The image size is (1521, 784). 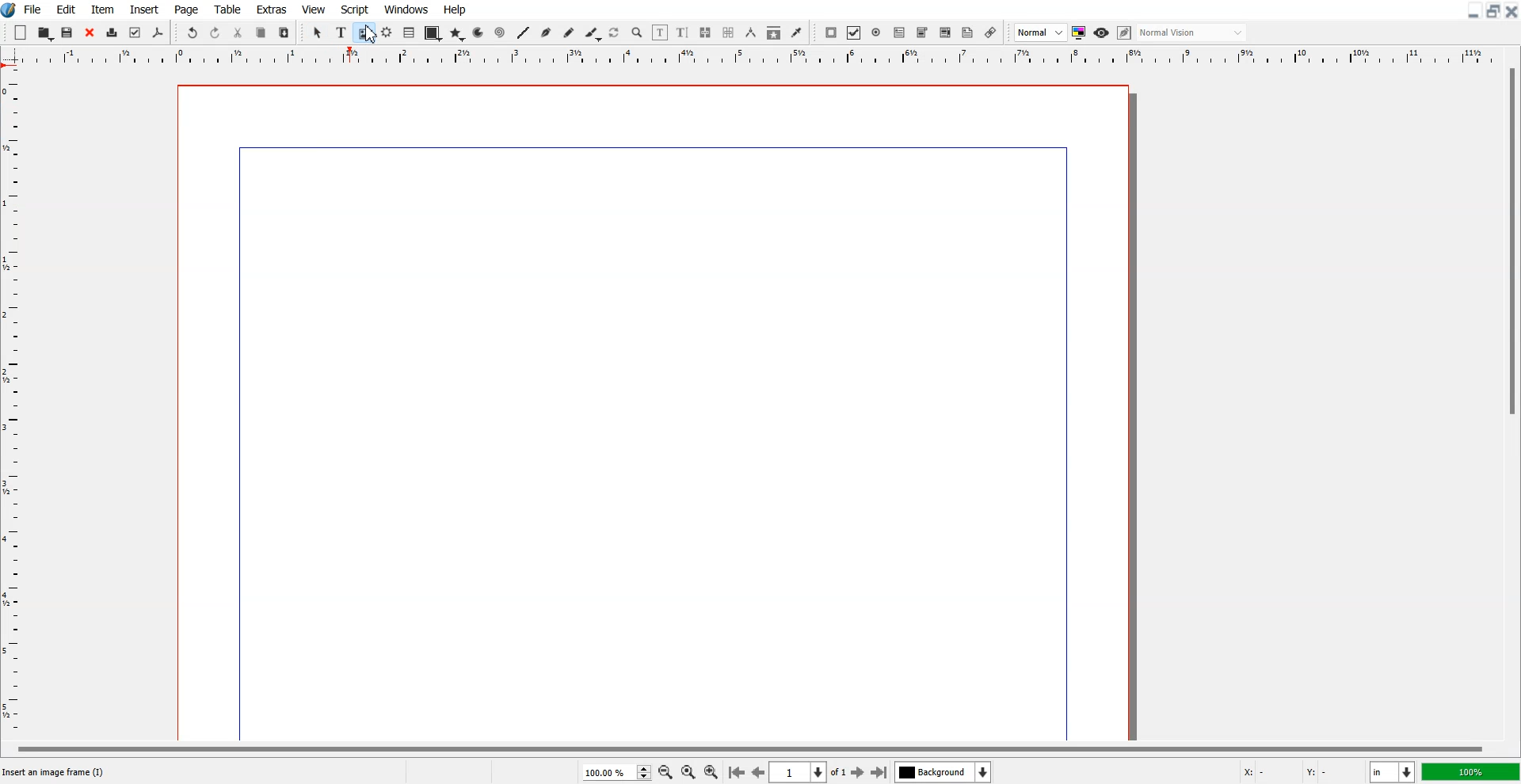 What do you see at coordinates (1125, 32) in the screenshot?
I see `Edit in preview mode` at bounding box center [1125, 32].